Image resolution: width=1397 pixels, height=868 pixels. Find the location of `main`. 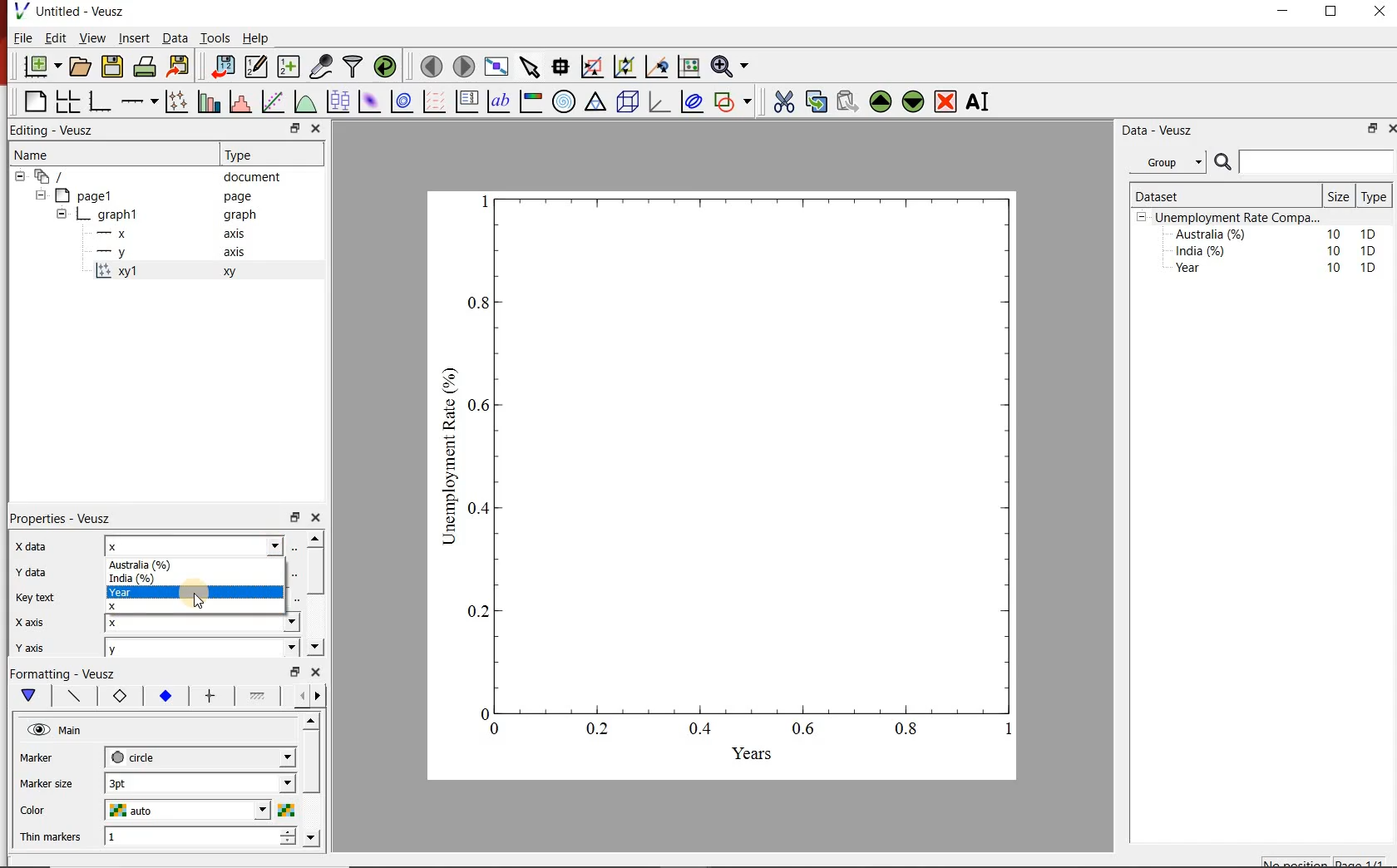

main is located at coordinates (32, 696).